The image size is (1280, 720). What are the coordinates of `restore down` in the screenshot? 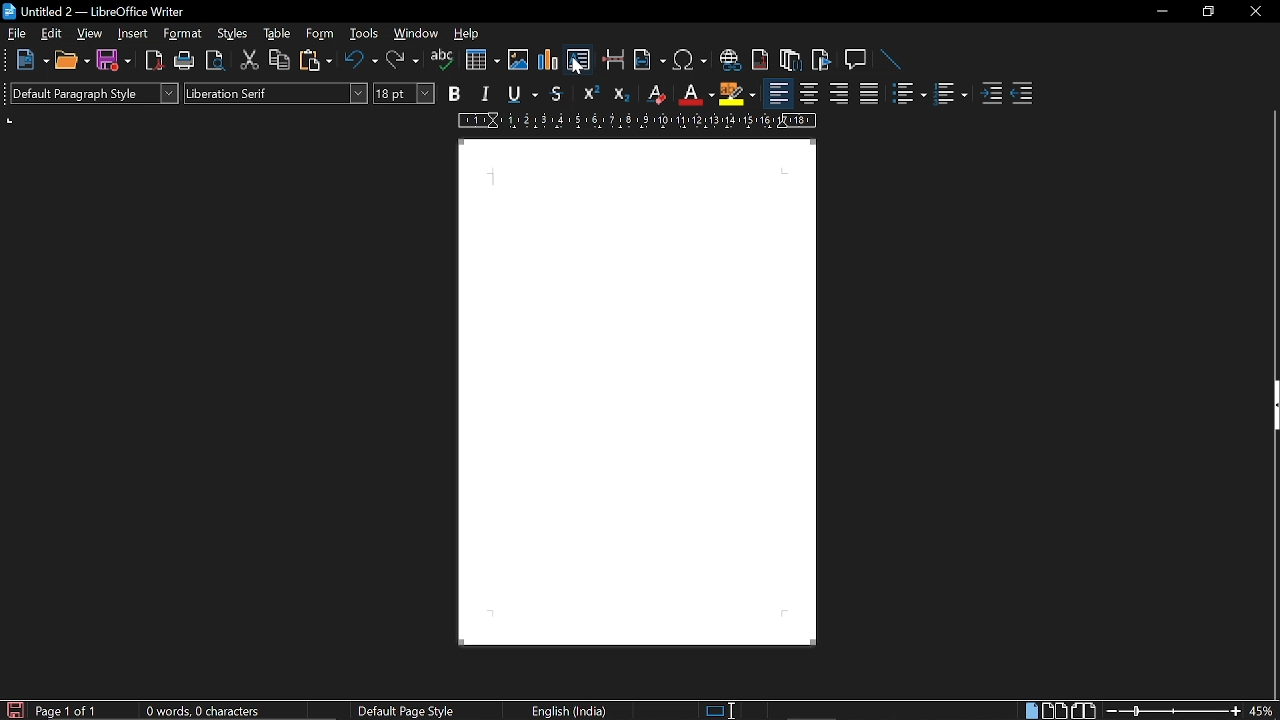 It's located at (1207, 12).